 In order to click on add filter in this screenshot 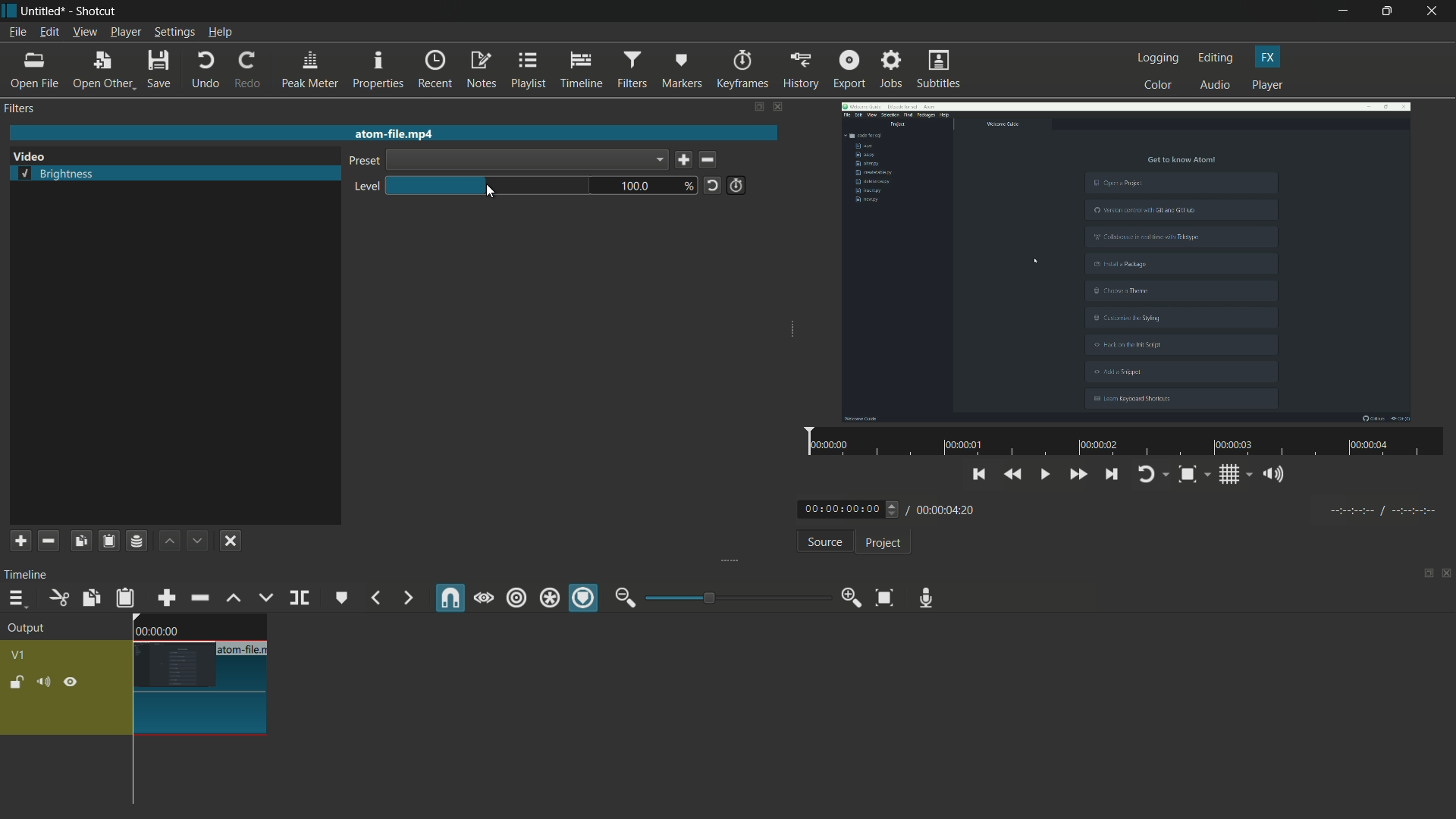, I will do `click(19, 541)`.